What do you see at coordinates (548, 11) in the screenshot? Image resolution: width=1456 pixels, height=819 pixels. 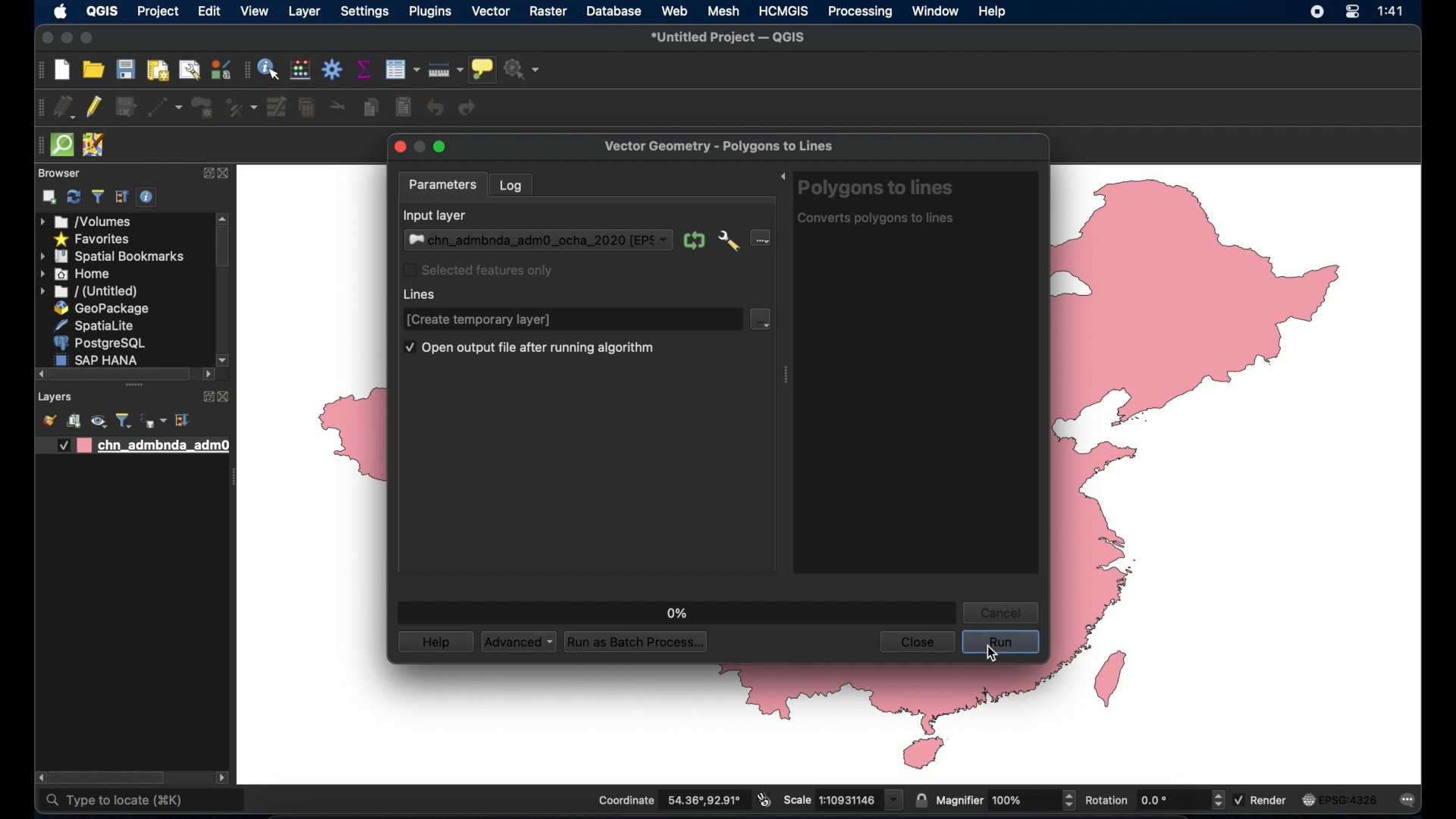 I see `raster` at bounding box center [548, 11].